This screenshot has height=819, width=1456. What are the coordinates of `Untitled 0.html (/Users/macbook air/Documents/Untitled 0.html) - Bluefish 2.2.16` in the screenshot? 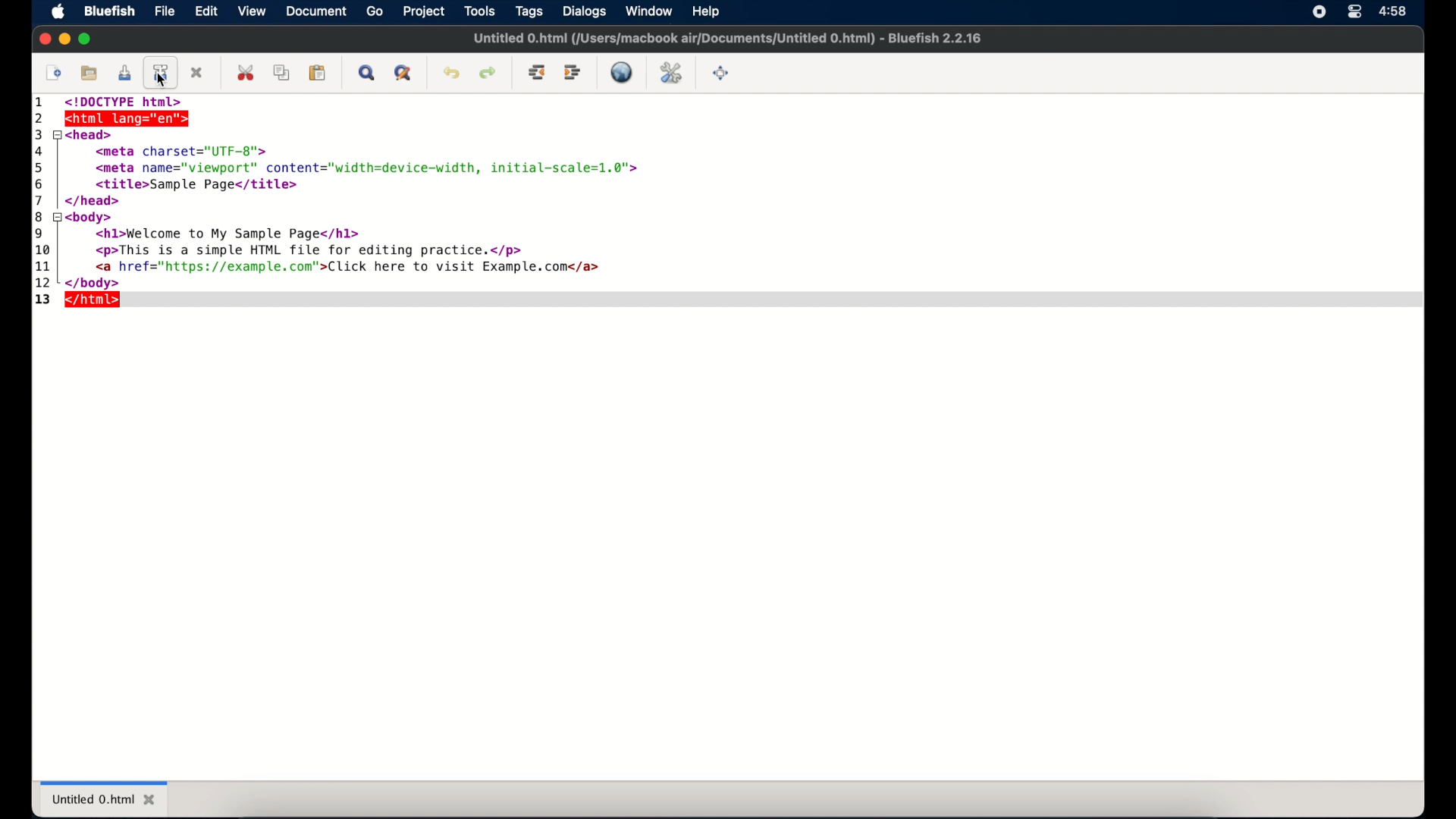 It's located at (726, 38).